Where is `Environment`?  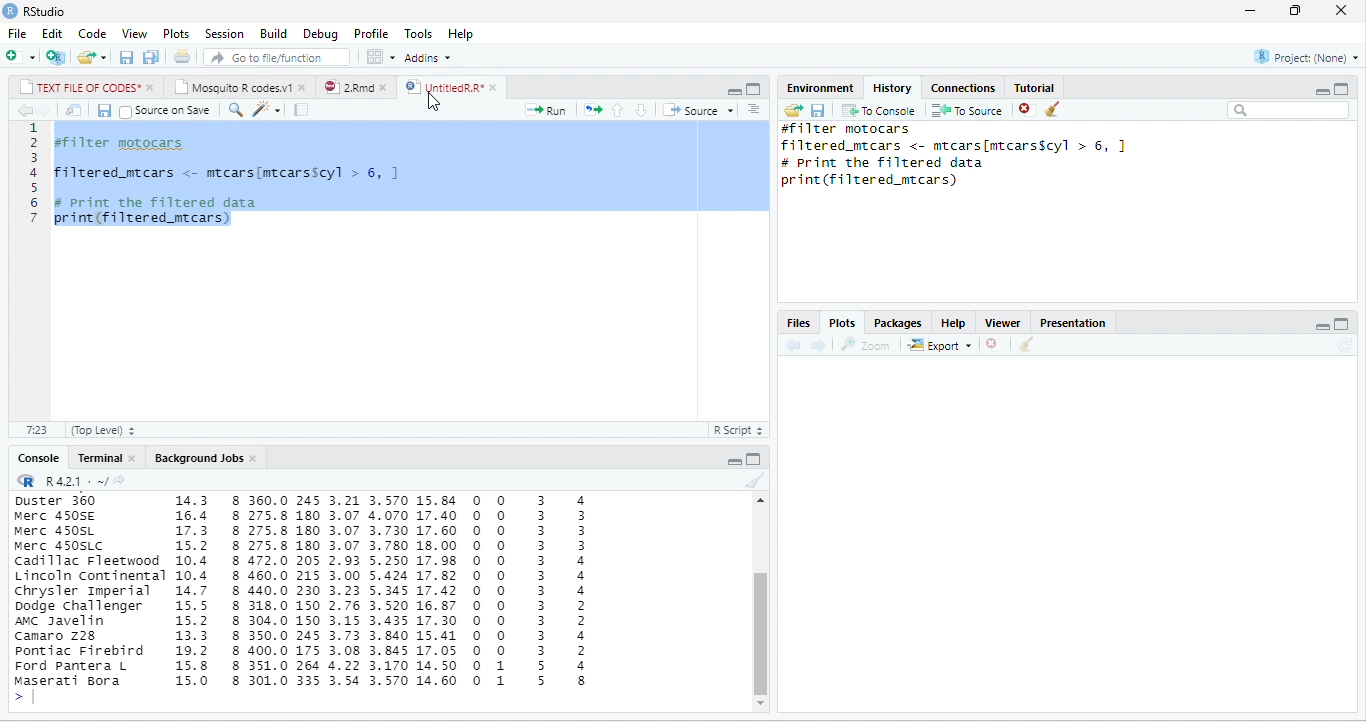 Environment is located at coordinates (820, 88).